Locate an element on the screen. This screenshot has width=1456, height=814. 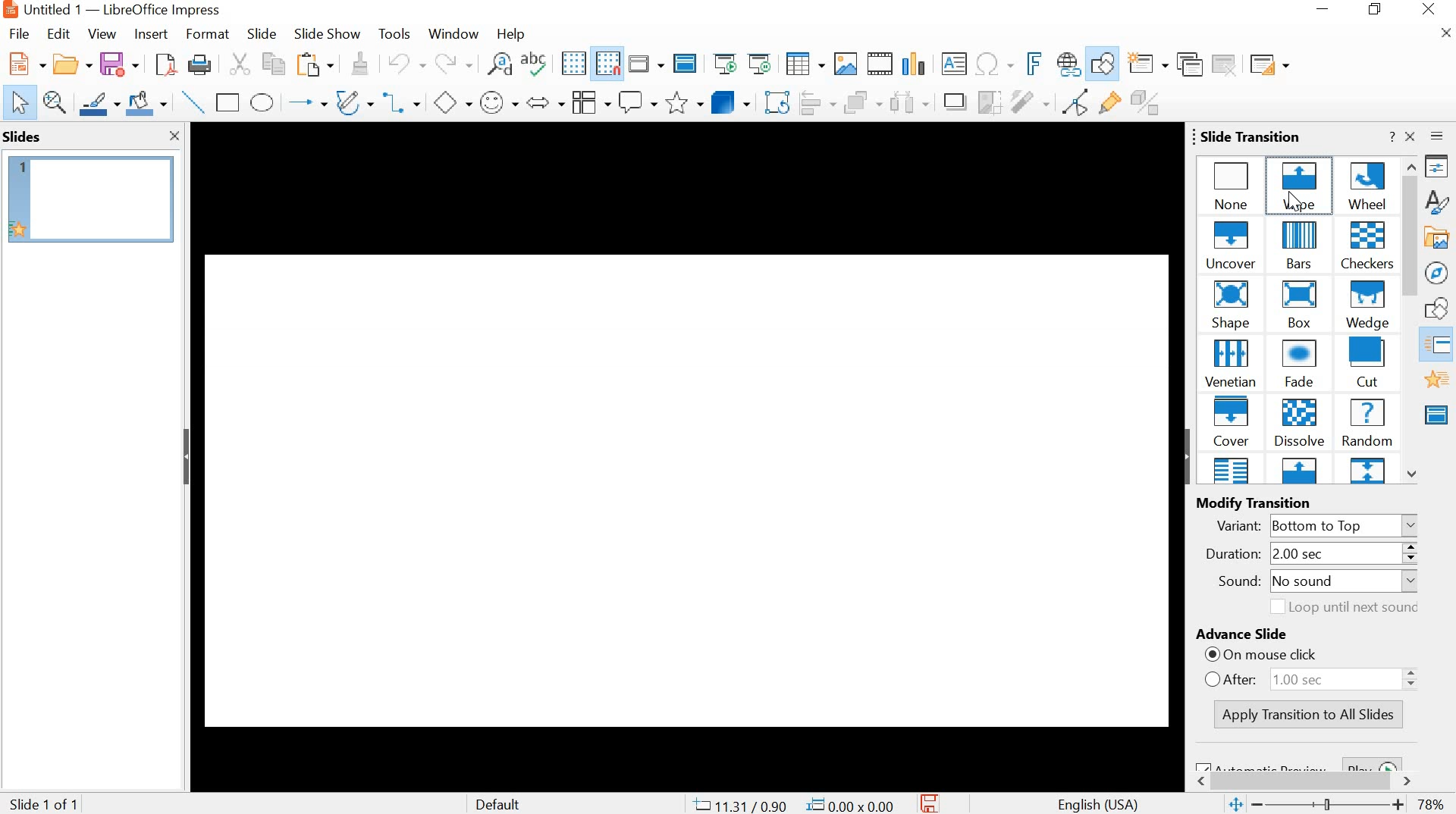
Insert frontwork text is located at coordinates (1029, 64).